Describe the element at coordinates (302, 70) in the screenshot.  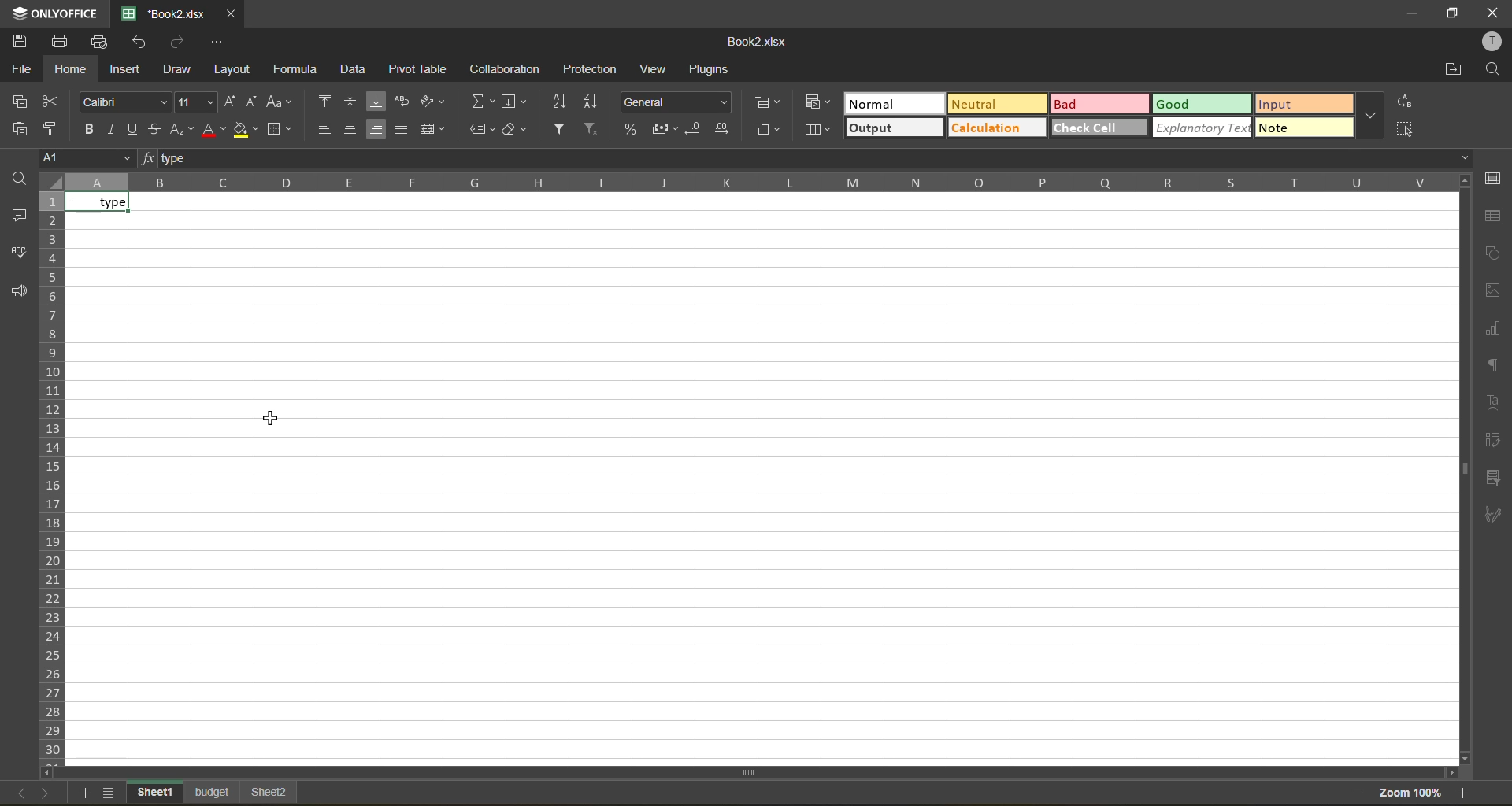
I see `formula` at that location.